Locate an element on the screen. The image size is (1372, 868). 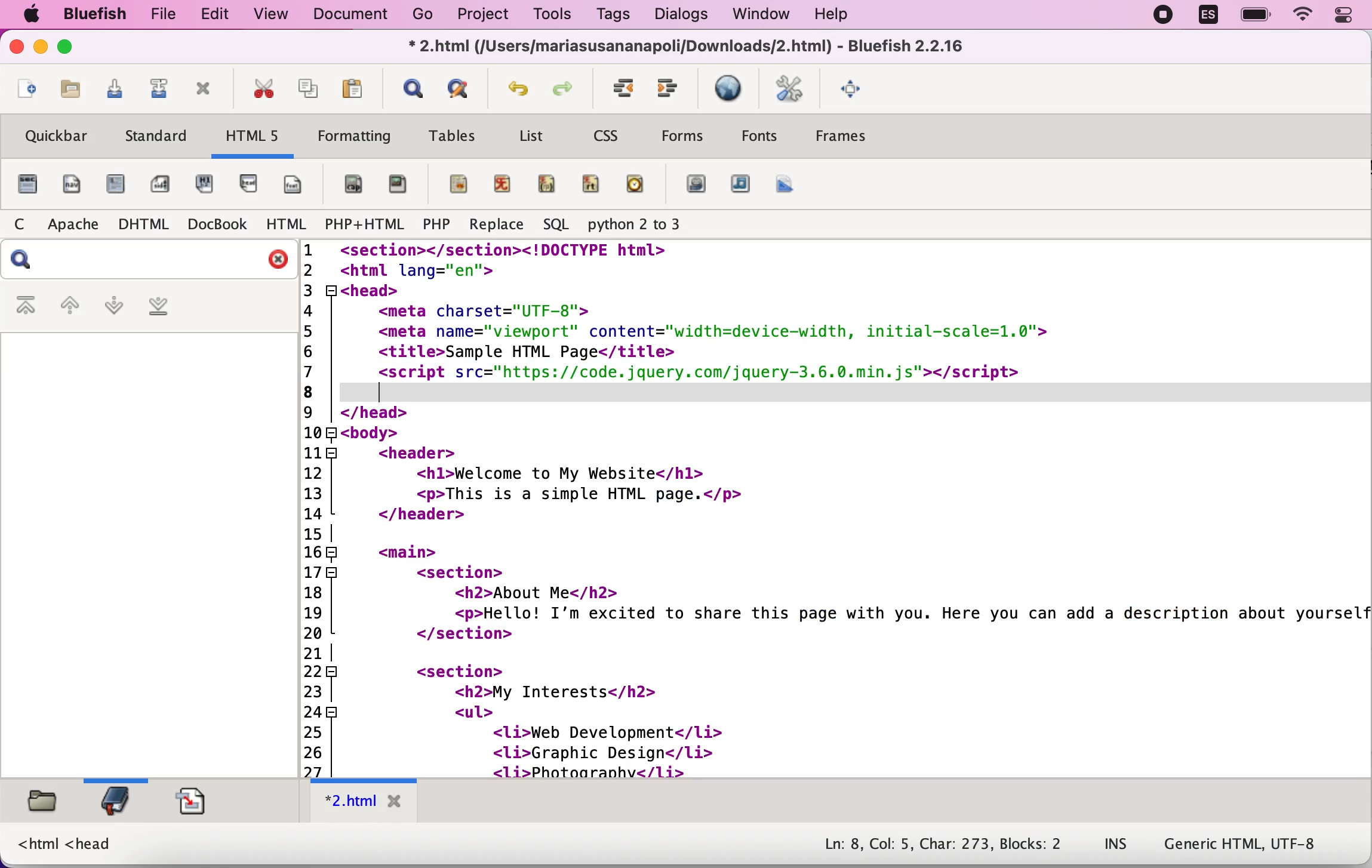
close is located at coordinates (16, 48).